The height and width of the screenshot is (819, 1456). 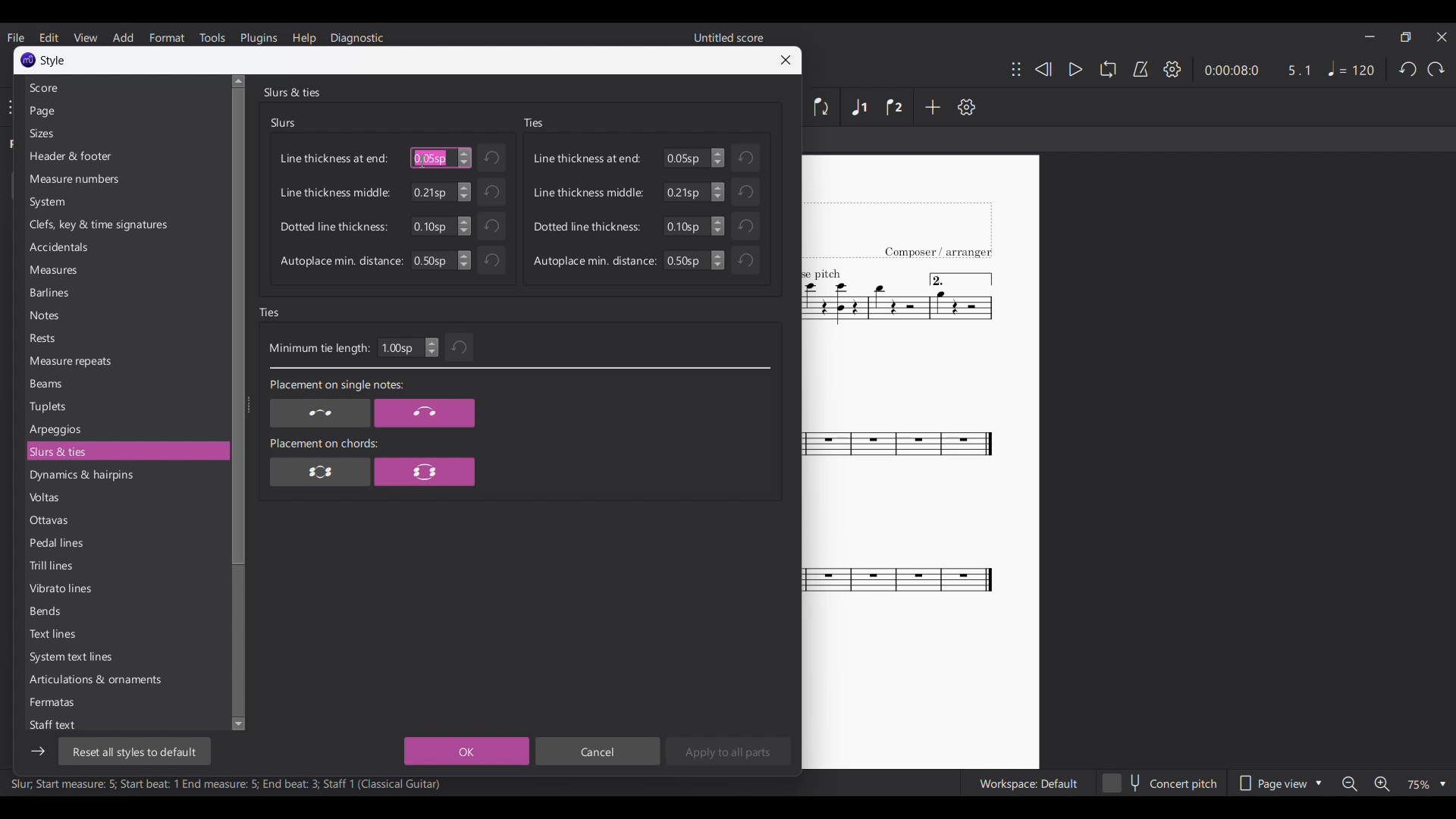 What do you see at coordinates (588, 226) in the screenshot?
I see `Dotted line thickness` at bounding box center [588, 226].